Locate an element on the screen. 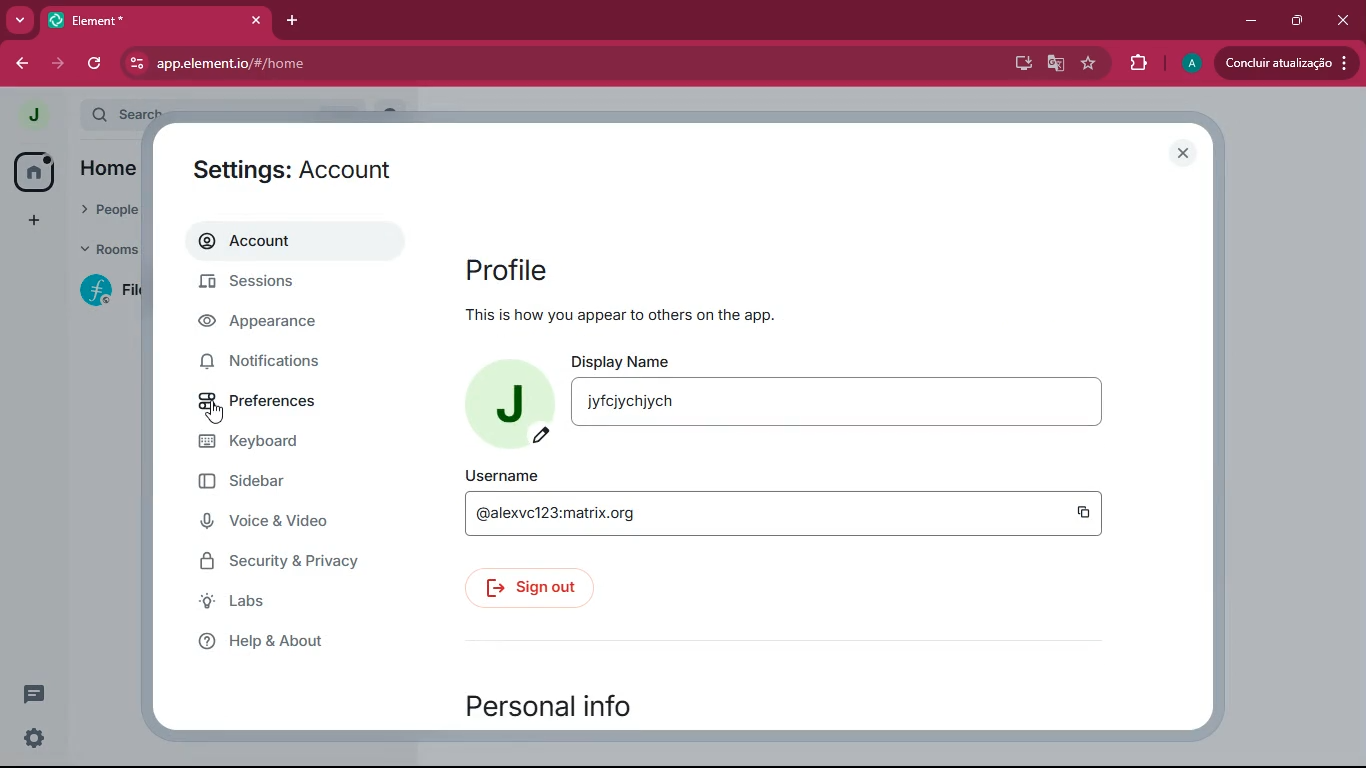 The height and width of the screenshot is (768, 1366). app.element.io/#/home is located at coordinates (390, 64).